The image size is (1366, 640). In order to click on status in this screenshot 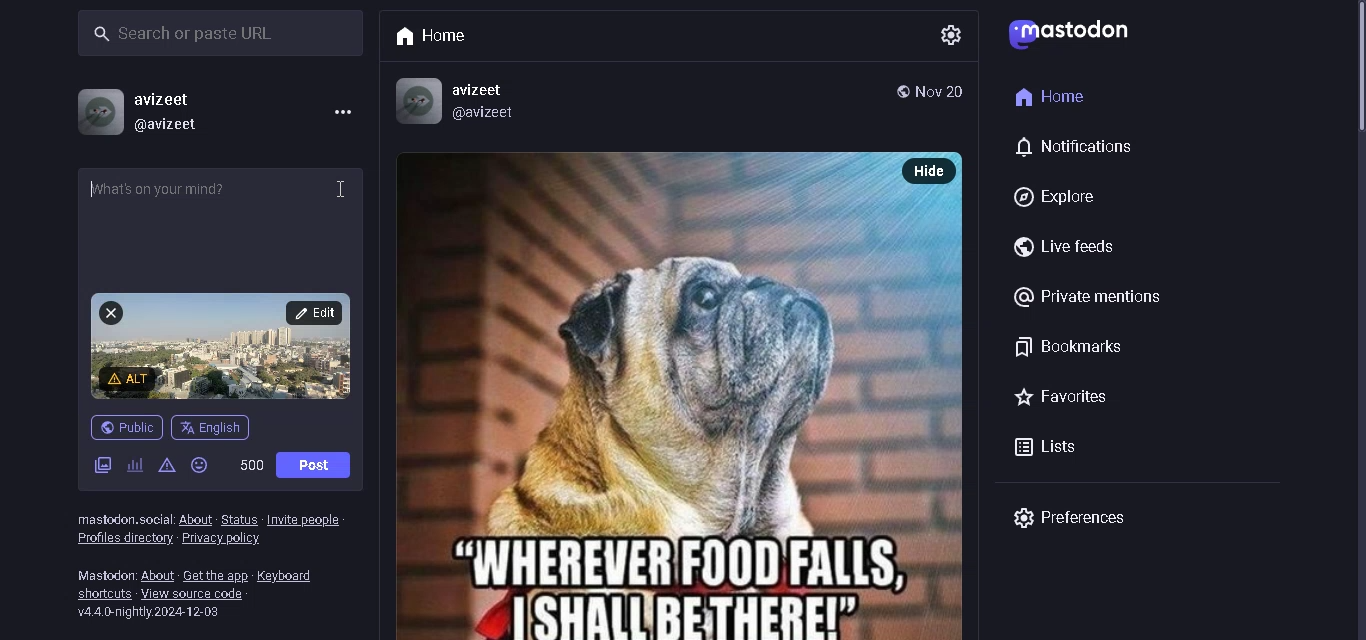, I will do `click(240, 519)`.